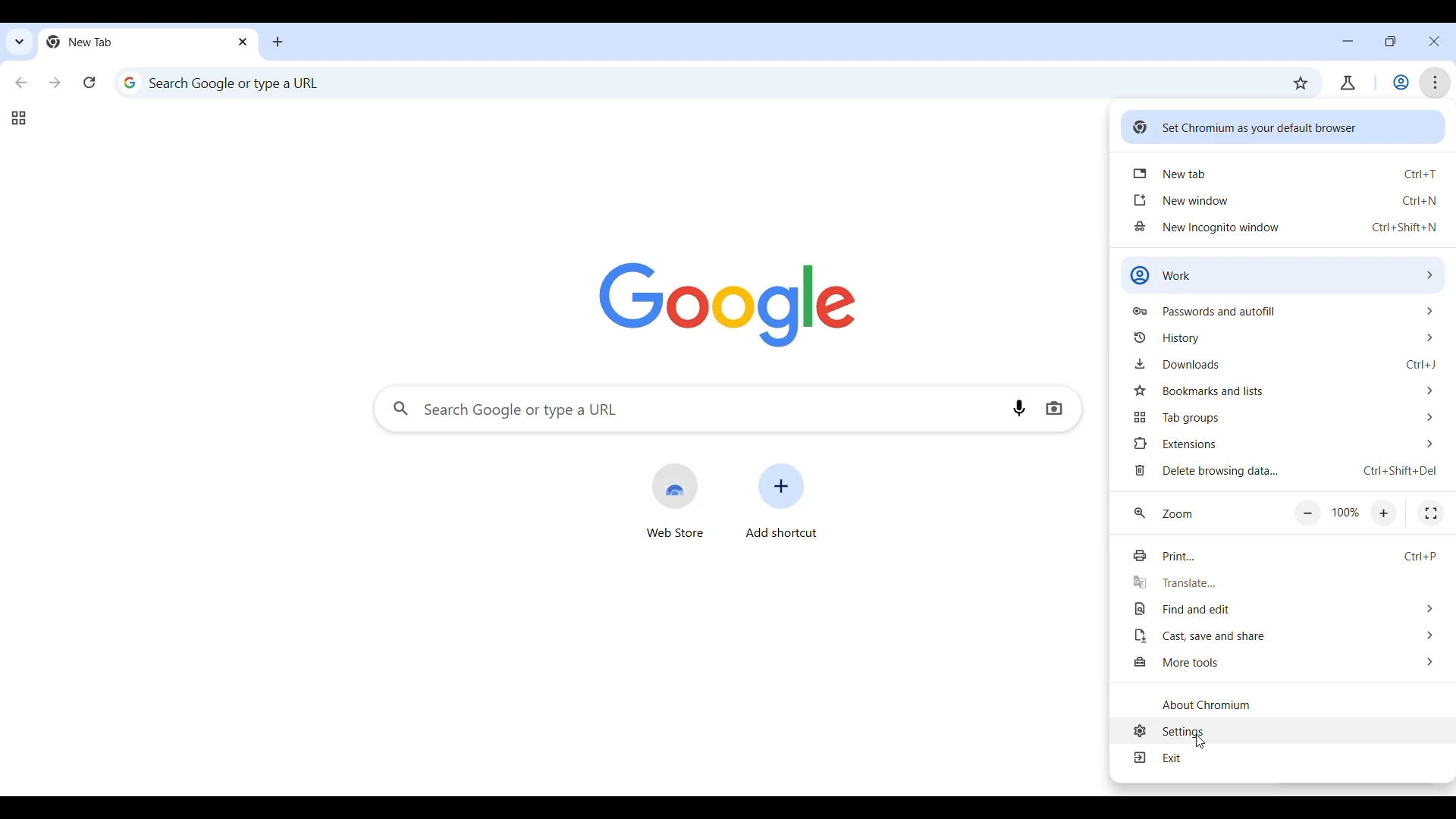 The image size is (1456, 819). What do you see at coordinates (1285, 444) in the screenshot?
I see `Extension options` at bounding box center [1285, 444].